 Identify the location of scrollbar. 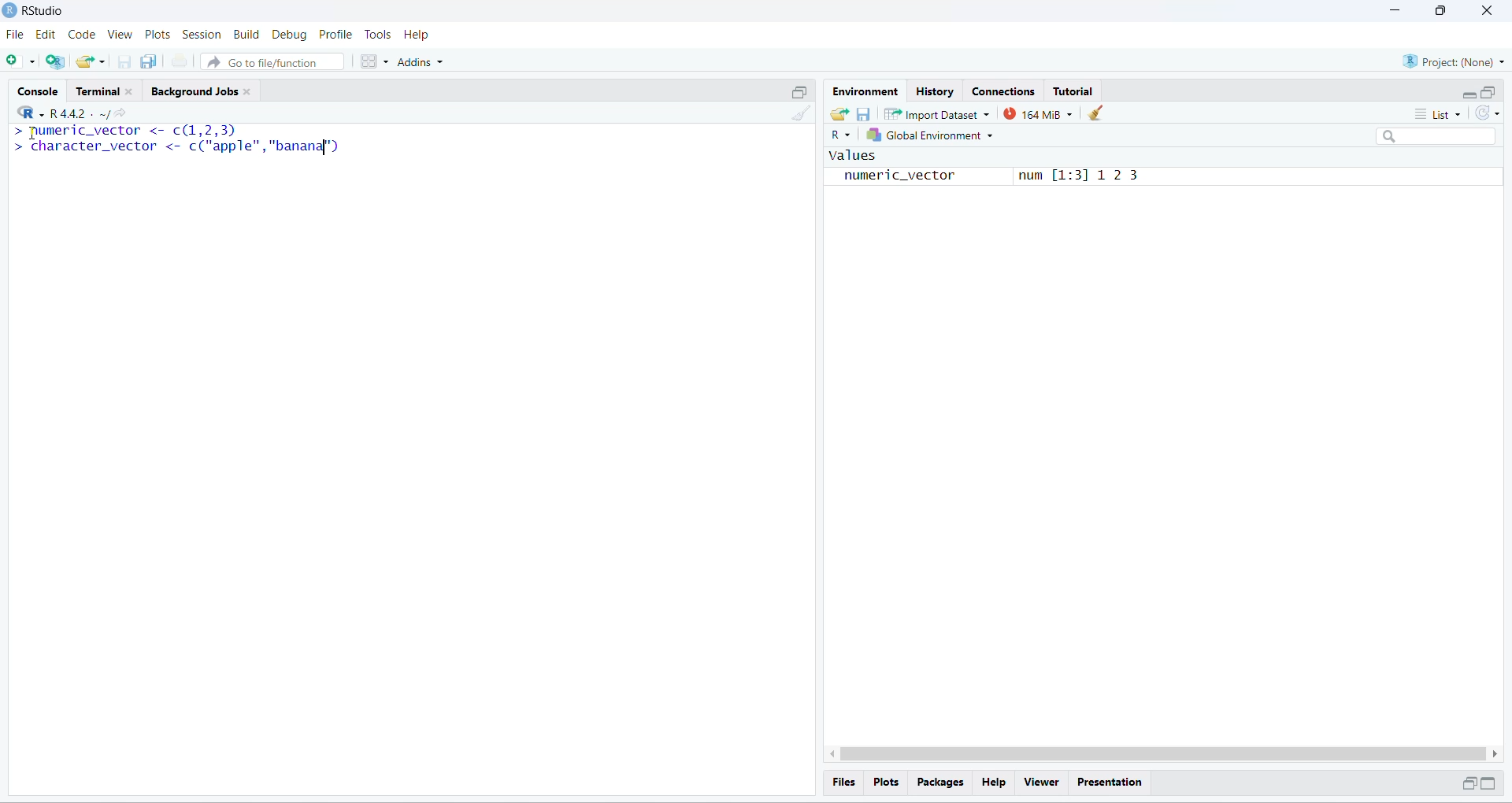
(1164, 754).